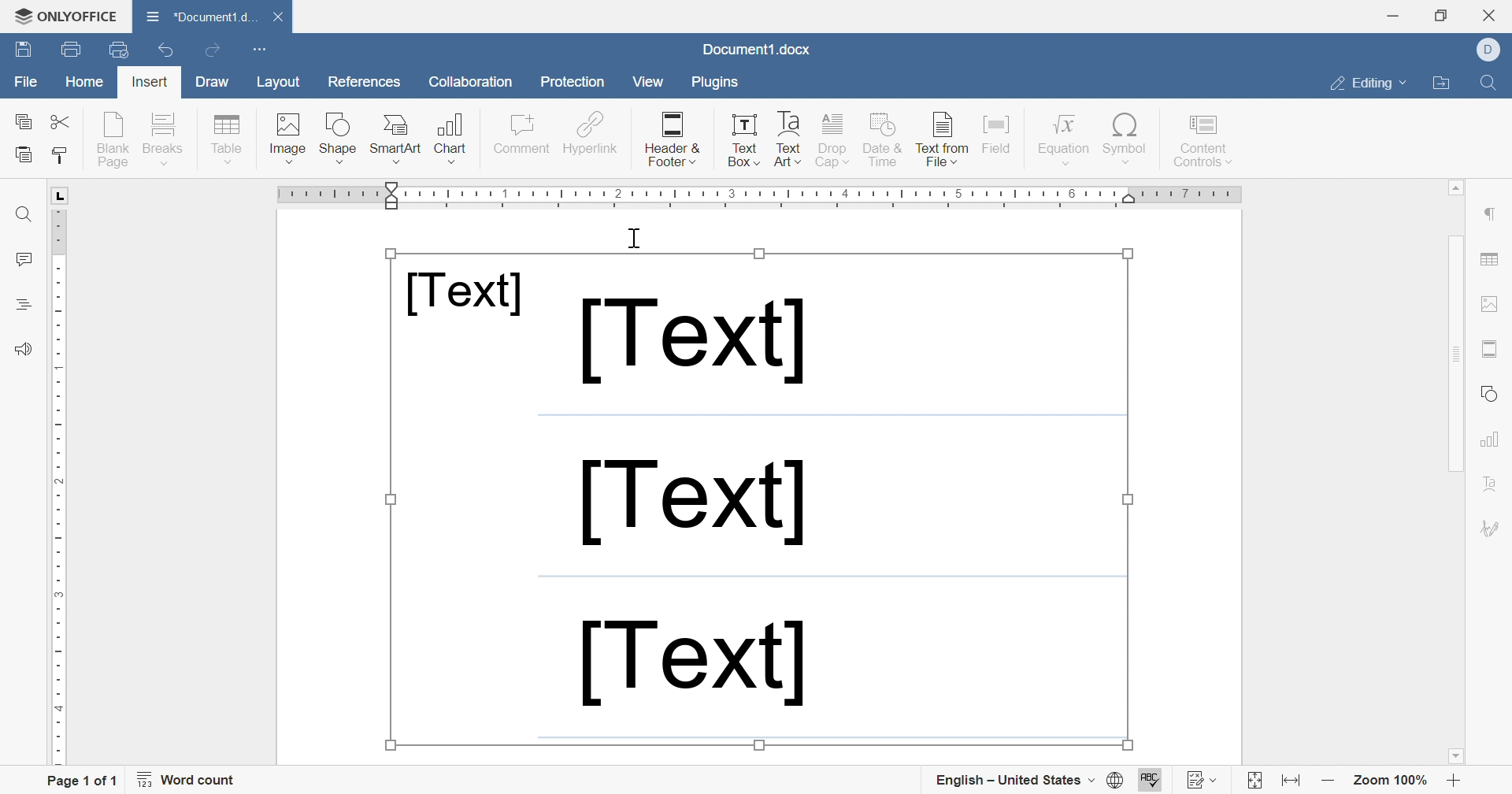 Image resolution: width=1512 pixels, height=794 pixels. I want to click on Document1.docx, so click(754, 49).